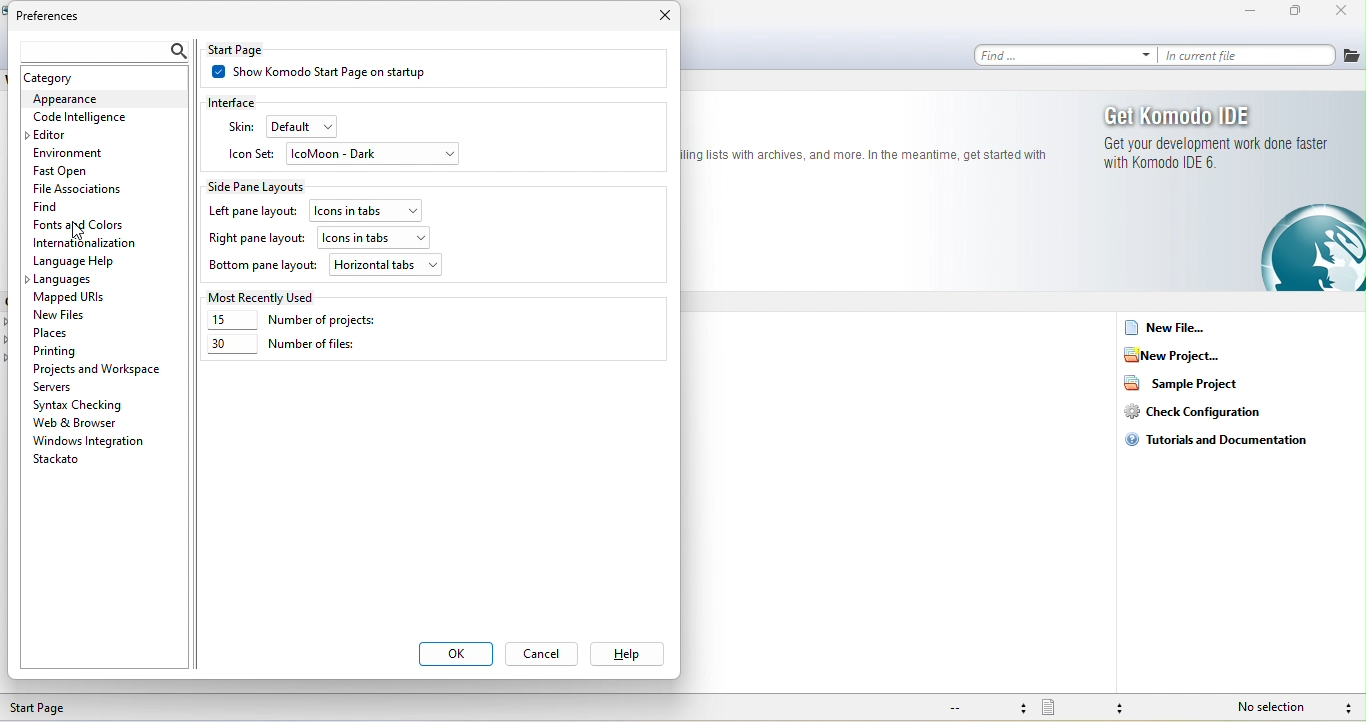  I want to click on start page, so click(66, 707).